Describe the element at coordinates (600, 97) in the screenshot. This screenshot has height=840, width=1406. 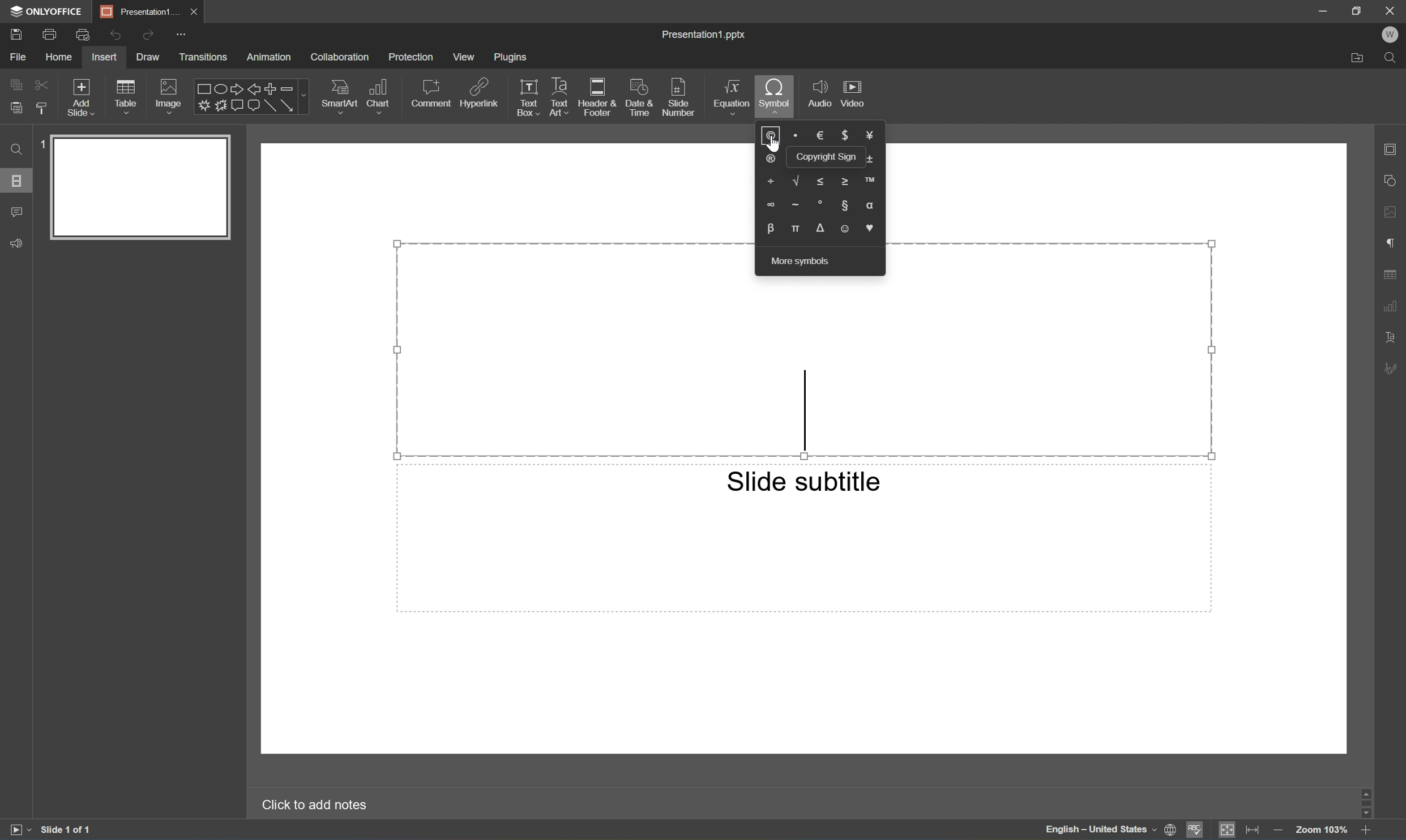
I see `Header & Footer` at that location.